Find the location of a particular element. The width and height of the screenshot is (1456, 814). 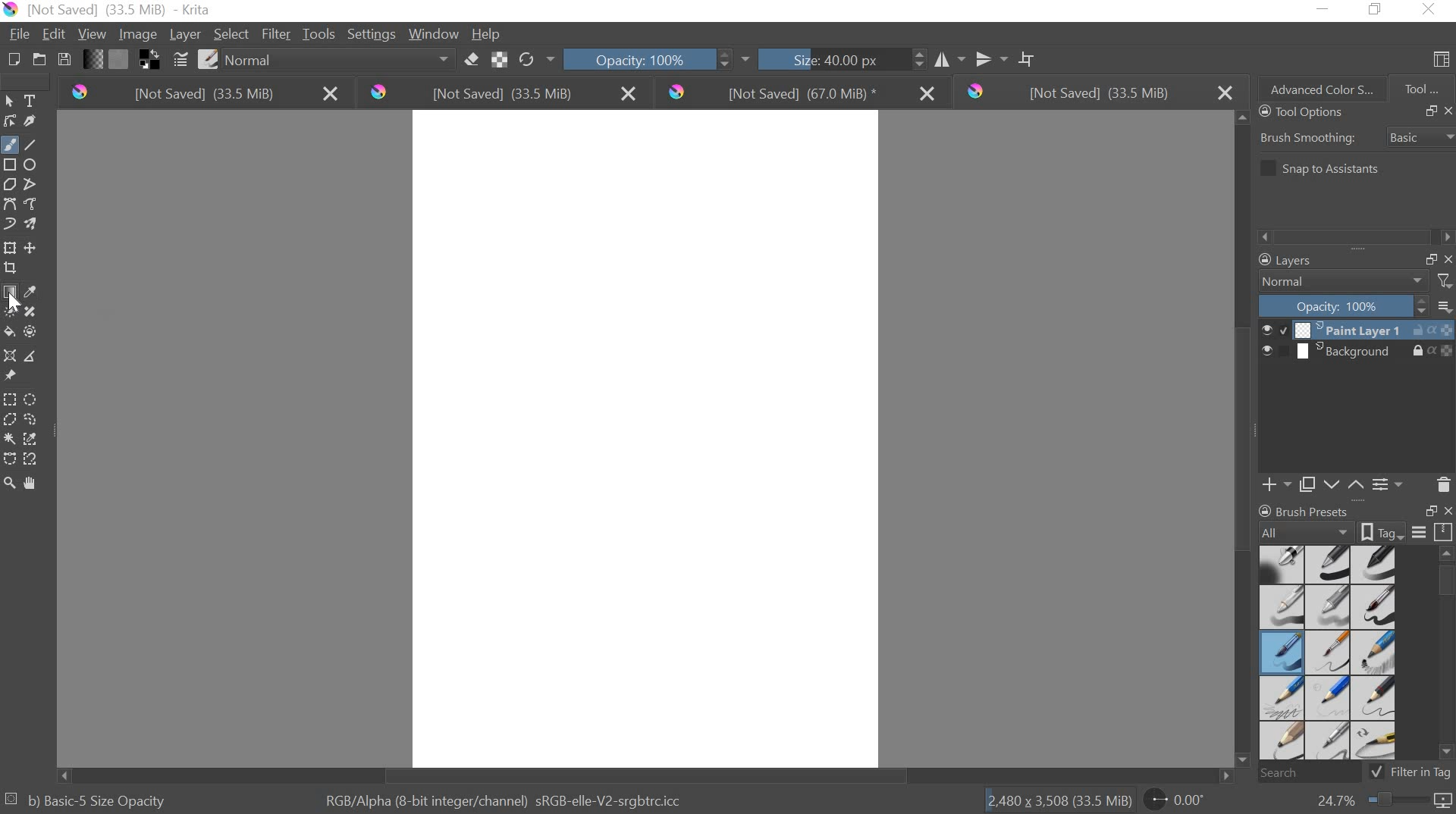

FILL GRADIENTS is located at coordinates (95, 61).